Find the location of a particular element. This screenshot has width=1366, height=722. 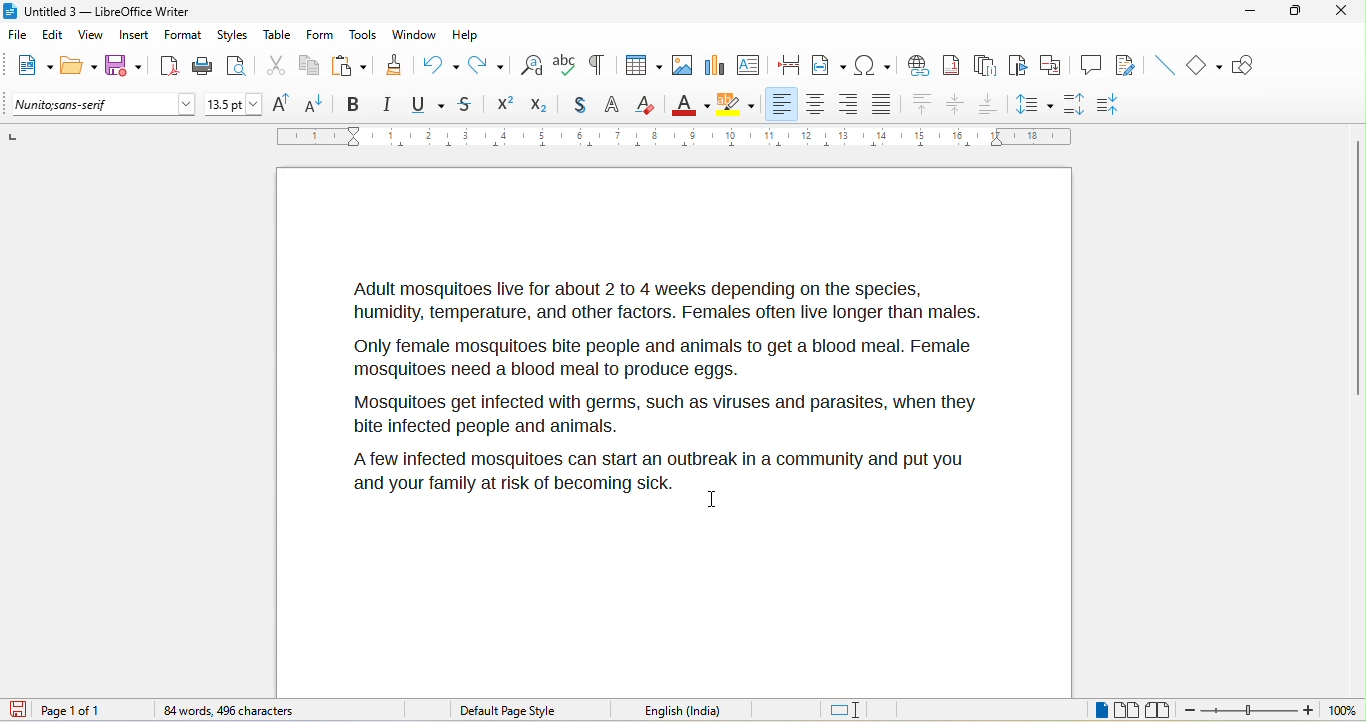

italic is located at coordinates (386, 105).